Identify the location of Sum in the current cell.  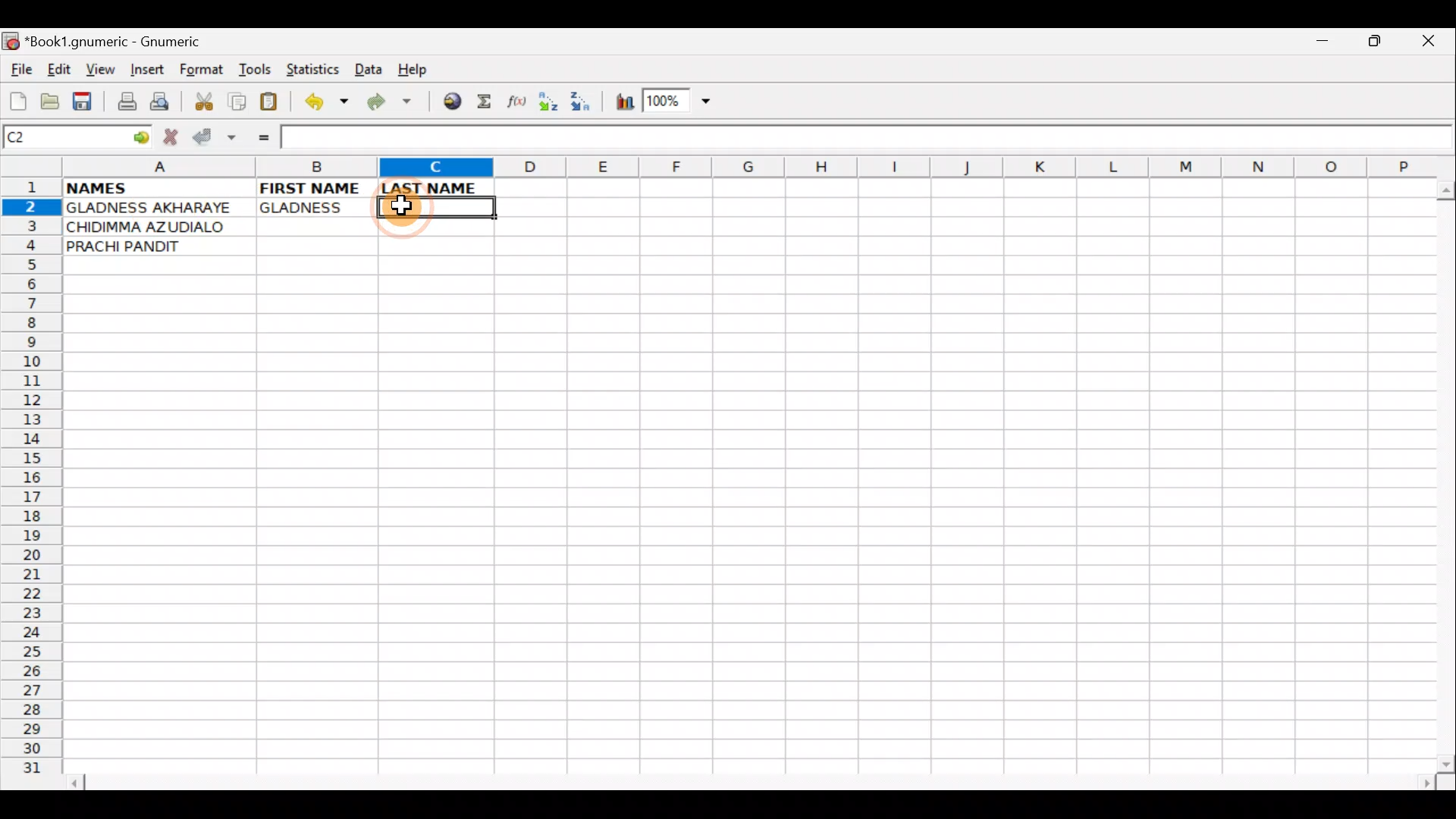
(489, 102).